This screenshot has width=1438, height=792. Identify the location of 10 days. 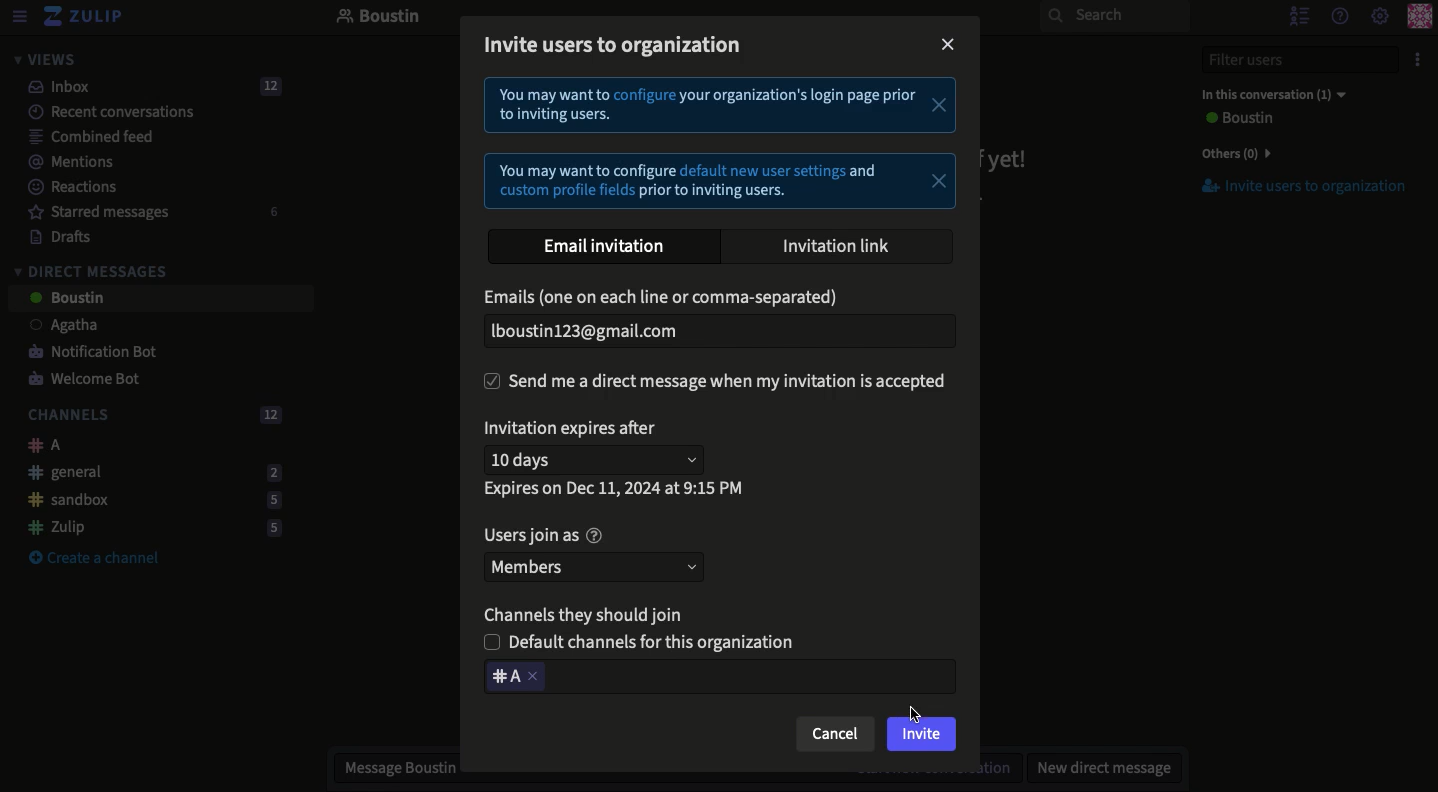
(599, 459).